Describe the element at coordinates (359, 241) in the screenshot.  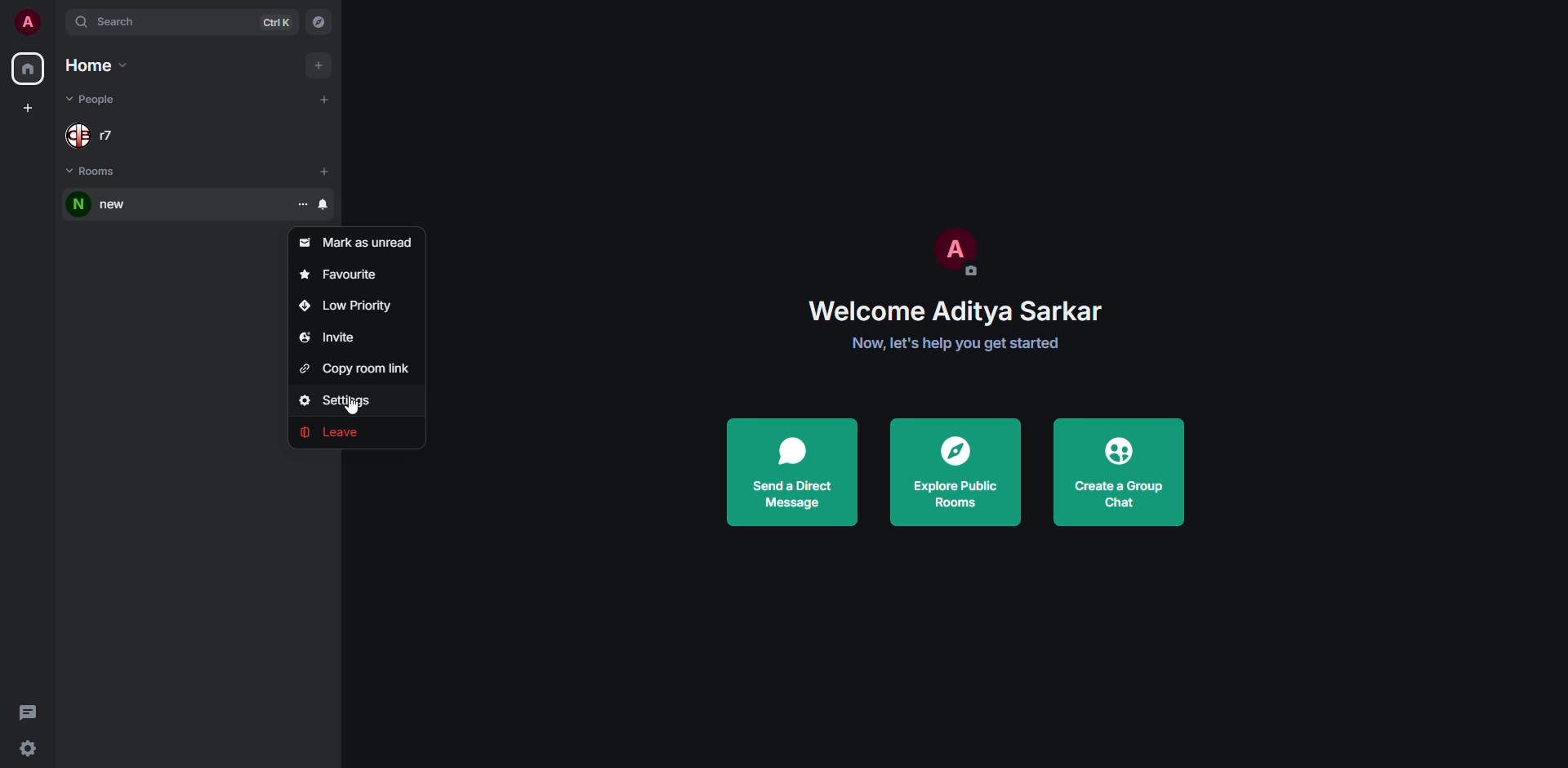
I see `mark as unread` at that location.